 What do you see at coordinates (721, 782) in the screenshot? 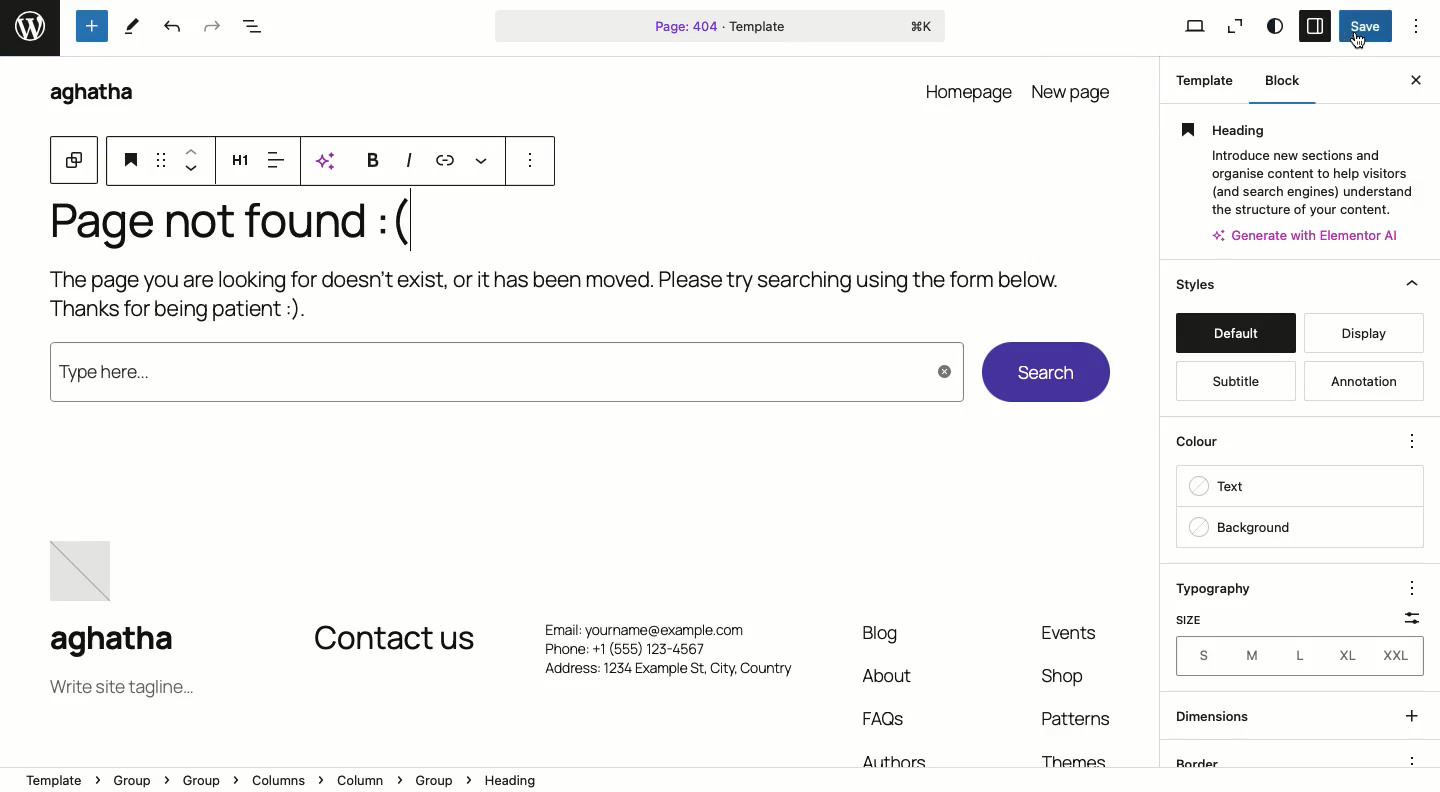
I see `Location` at bounding box center [721, 782].